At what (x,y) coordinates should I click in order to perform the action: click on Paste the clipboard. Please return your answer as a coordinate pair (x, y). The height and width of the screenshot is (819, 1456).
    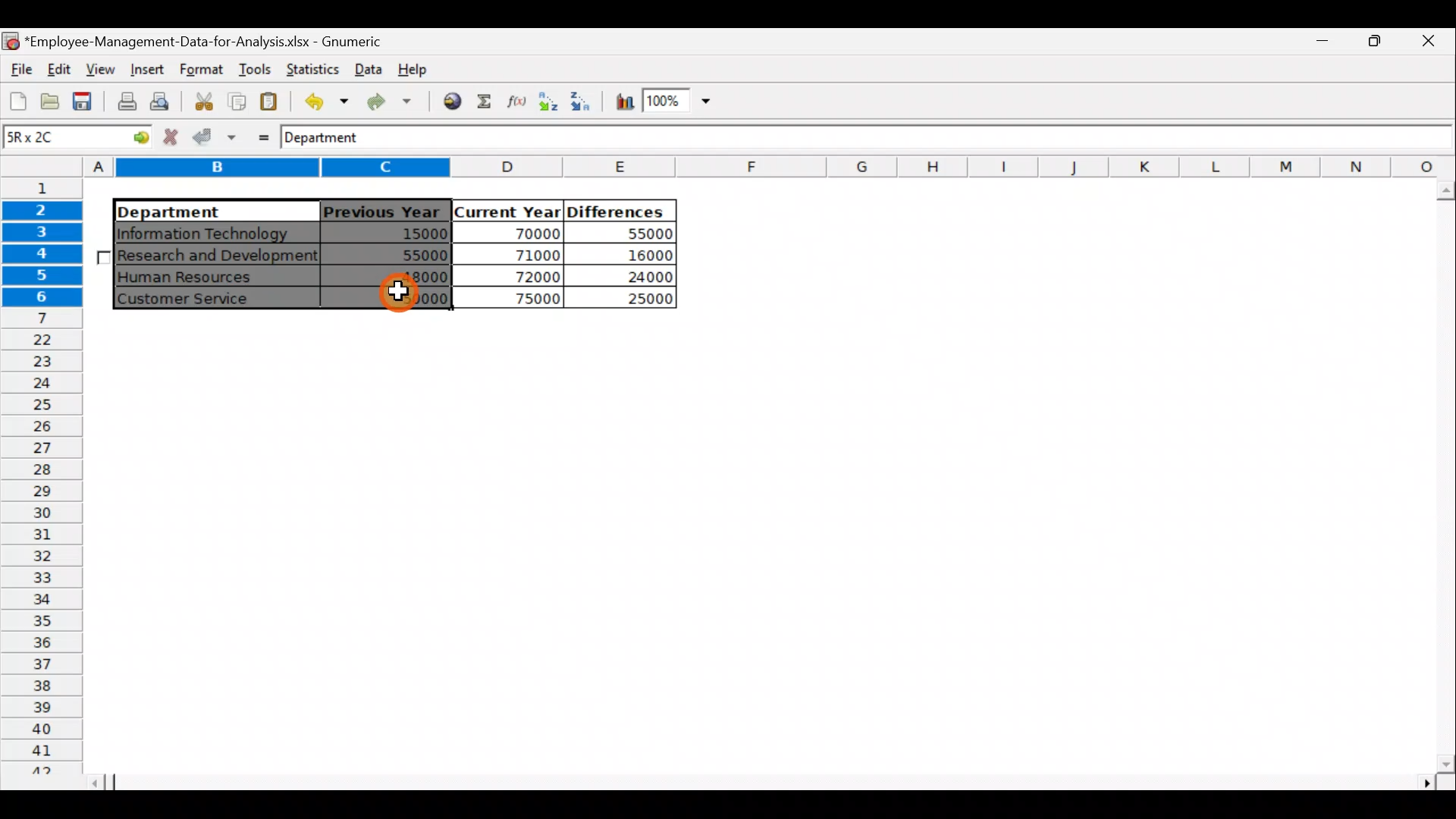
    Looking at the image, I should click on (272, 102).